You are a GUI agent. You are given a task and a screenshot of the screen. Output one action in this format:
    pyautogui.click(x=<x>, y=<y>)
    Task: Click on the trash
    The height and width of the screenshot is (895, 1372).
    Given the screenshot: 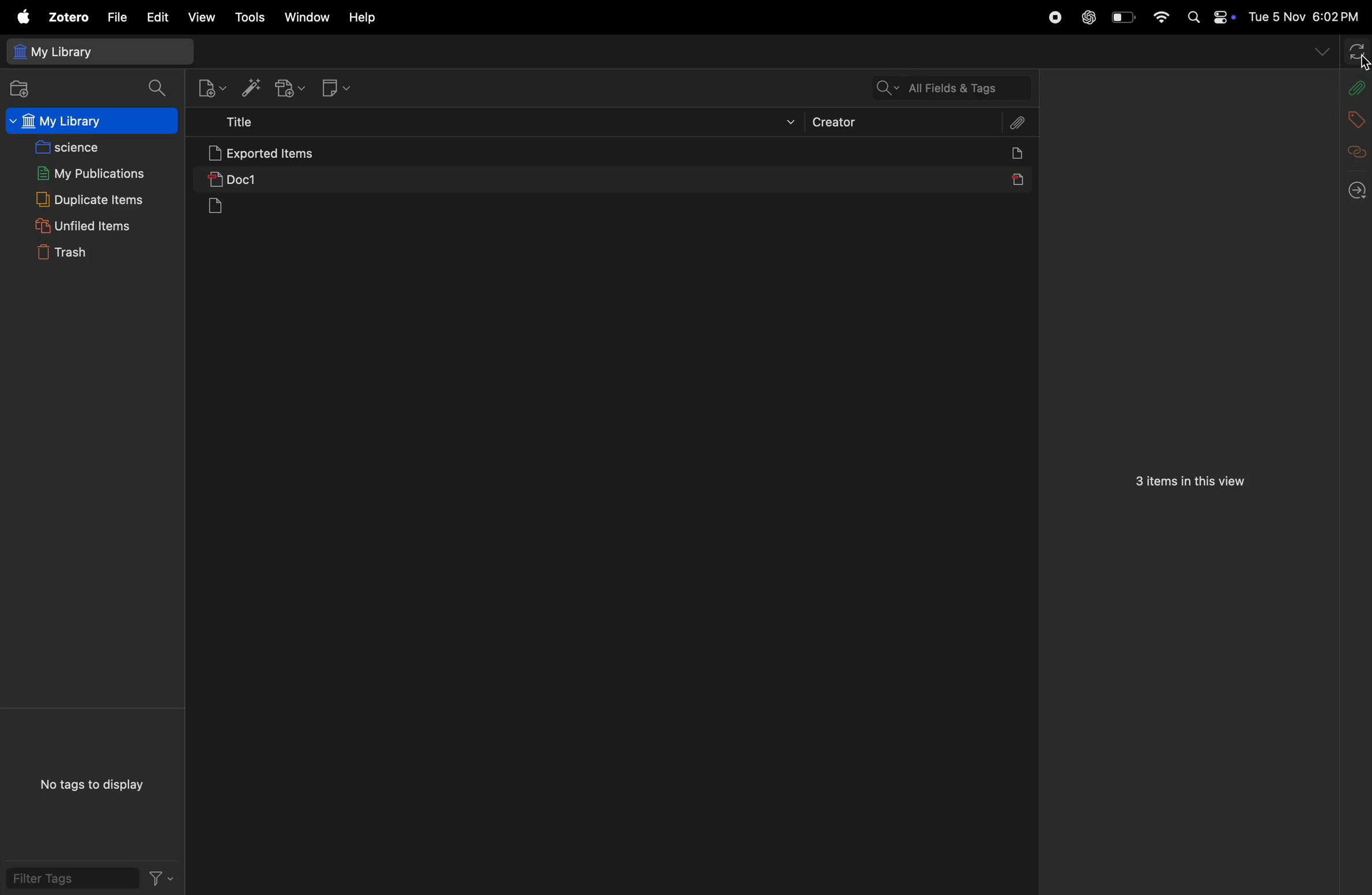 What is the action you would take?
    pyautogui.click(x=85, y=254)
    